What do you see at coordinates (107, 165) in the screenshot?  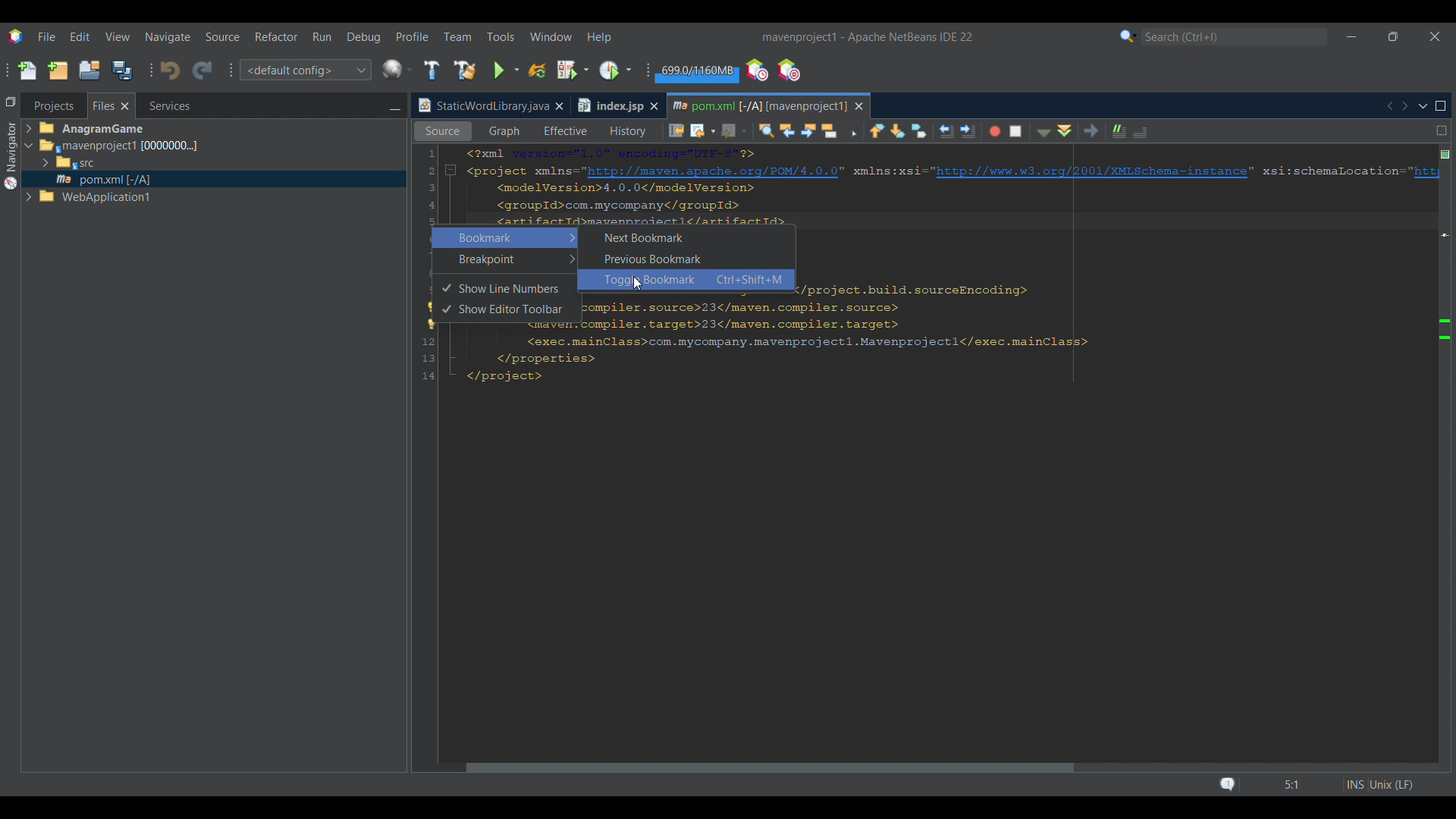 I see `Options under Files tab` at bounding box center [107, 165].